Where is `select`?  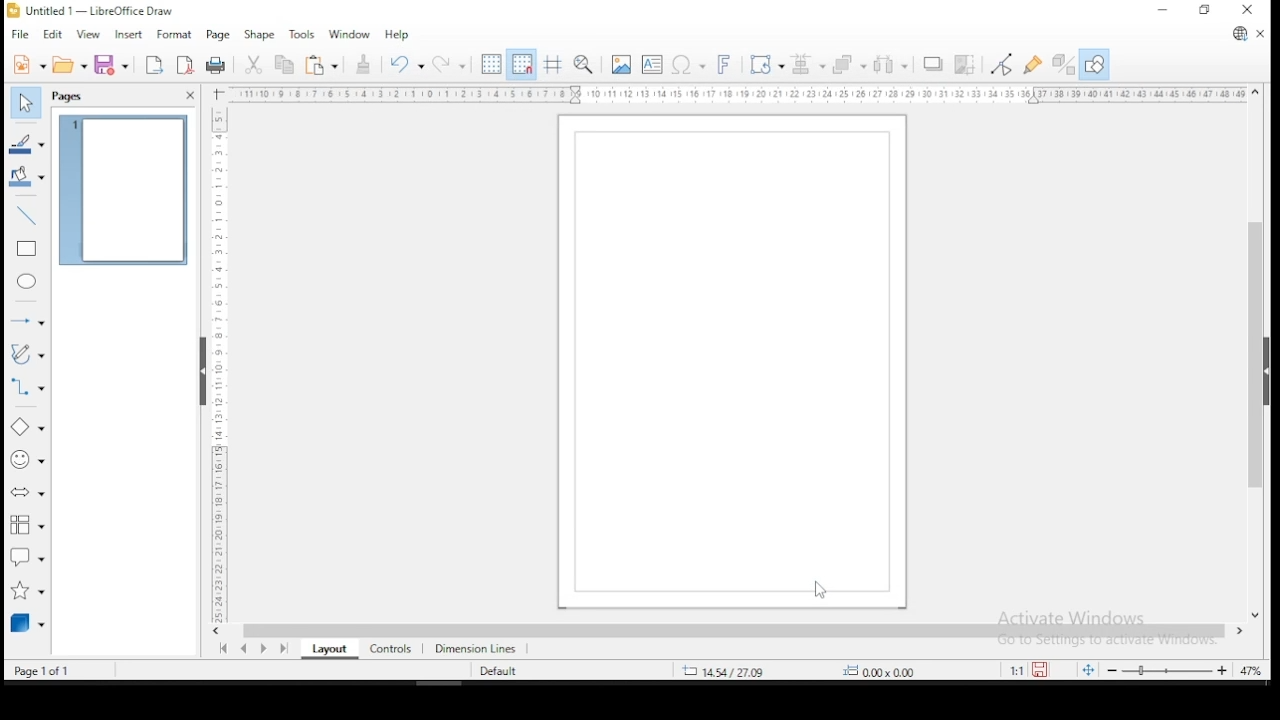
select is located at coordinates (29, 103).